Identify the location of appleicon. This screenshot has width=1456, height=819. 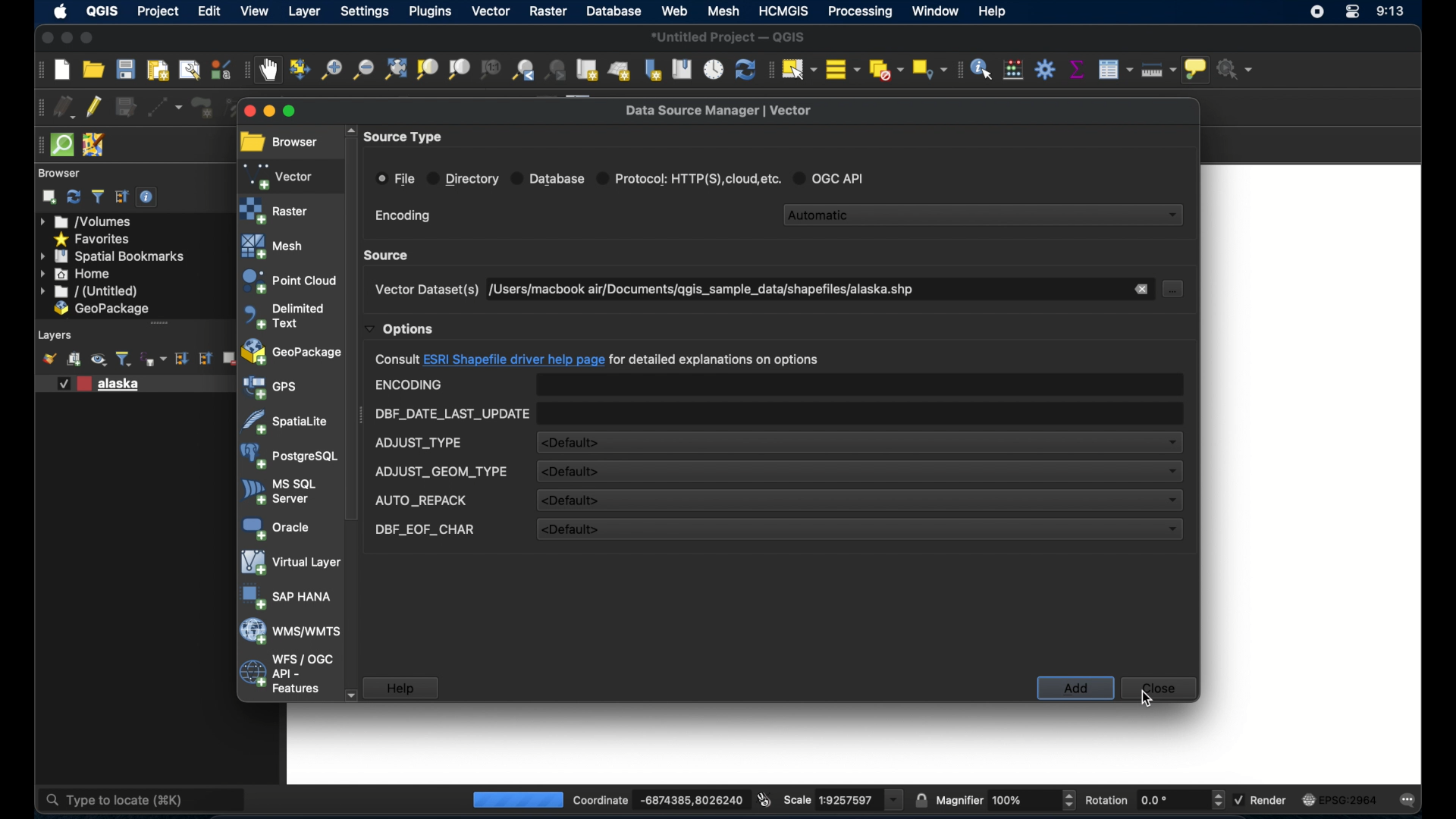
(61, 12).